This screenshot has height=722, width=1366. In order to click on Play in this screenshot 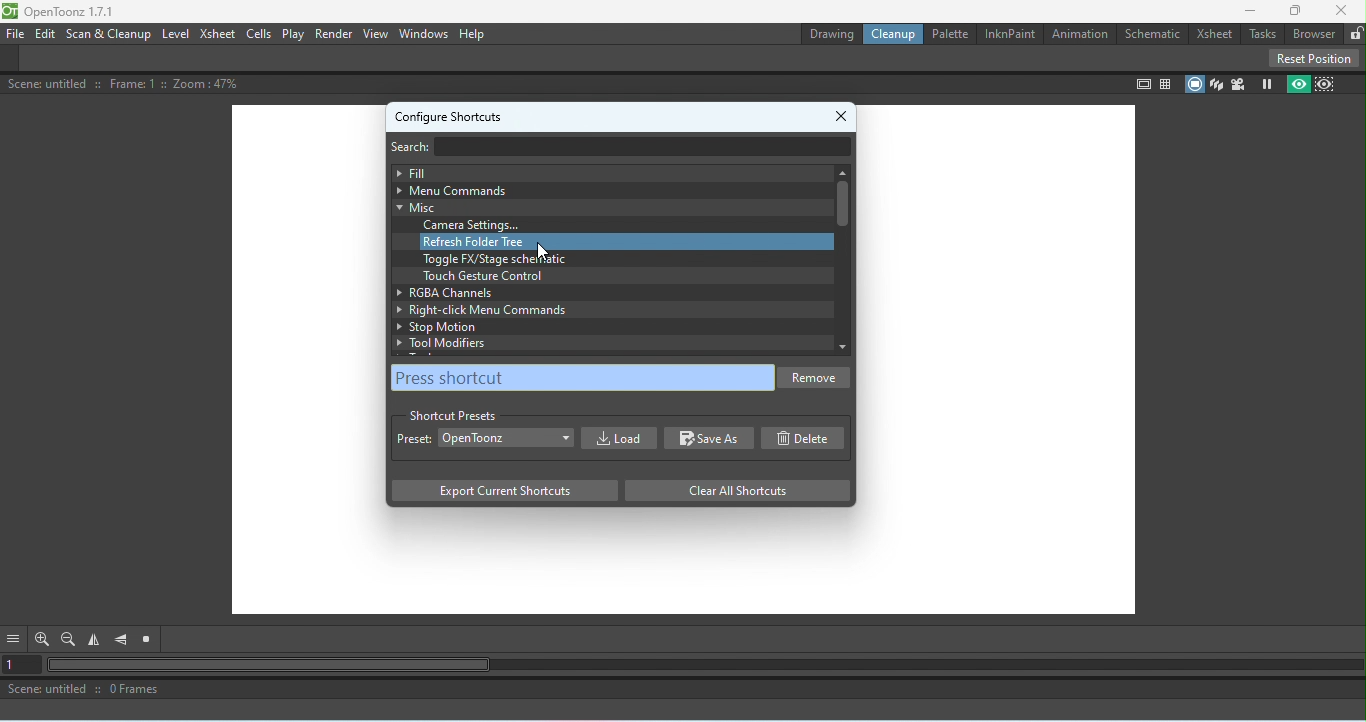, I will do `click(294, 34)`.